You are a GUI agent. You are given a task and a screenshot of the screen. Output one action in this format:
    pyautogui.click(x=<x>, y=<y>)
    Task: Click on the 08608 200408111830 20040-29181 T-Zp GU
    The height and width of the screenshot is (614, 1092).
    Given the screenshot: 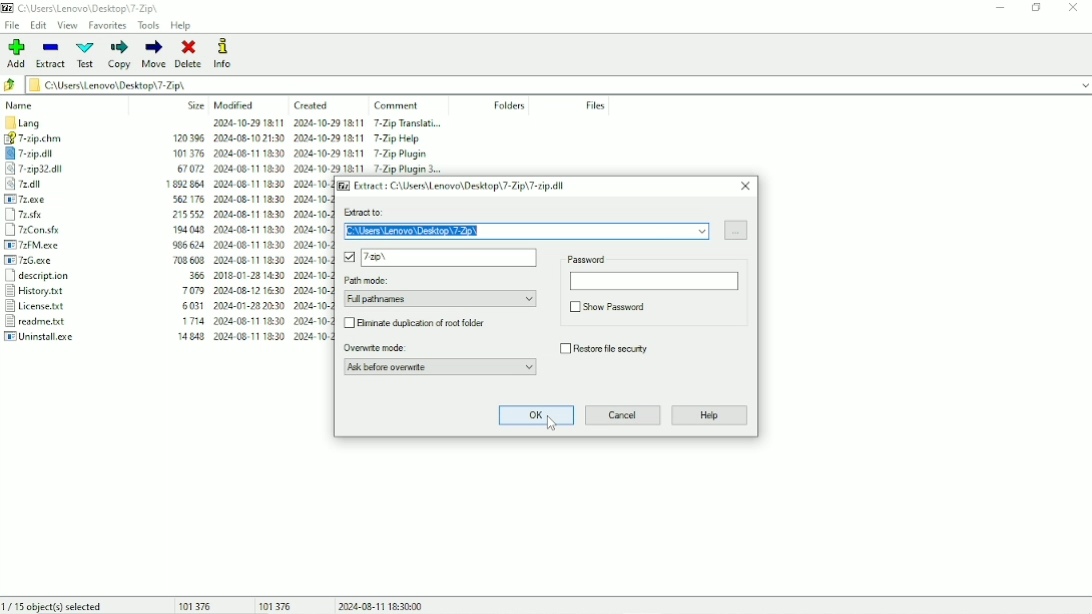 What is the action you would take?
    pyautogui.click(x=249, y=261)
    